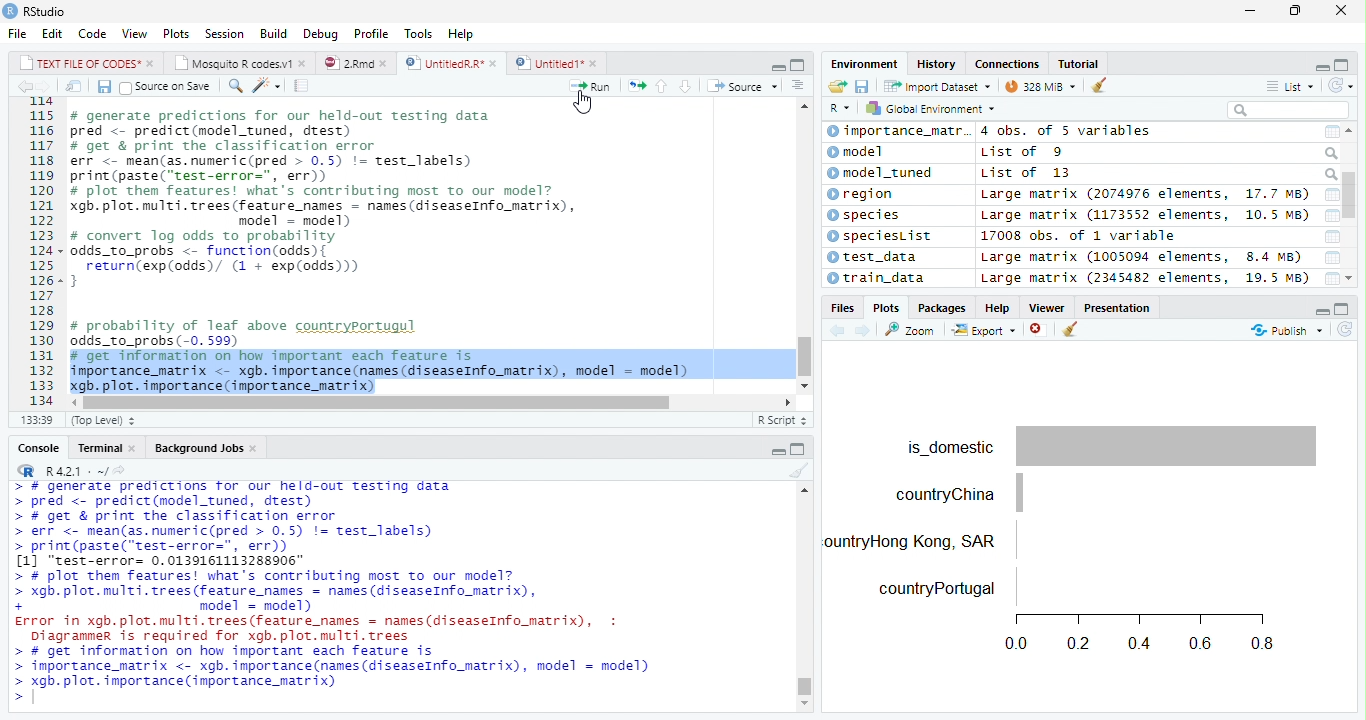 This screenshot has width=1366, height=720. Describe the element at coordinates (557, 62) in the screenshot. I see ` Untitled1* ` at that location.